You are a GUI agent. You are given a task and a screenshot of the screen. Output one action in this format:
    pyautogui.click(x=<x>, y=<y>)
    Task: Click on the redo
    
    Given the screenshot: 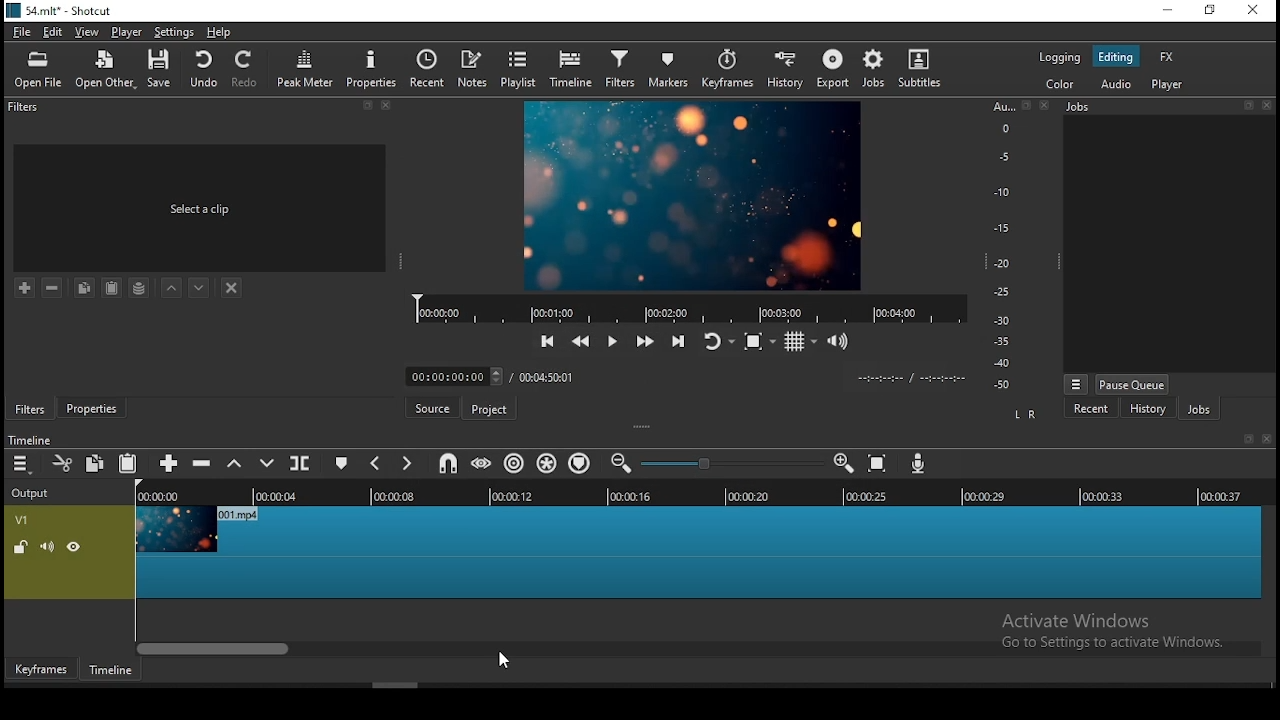 What is the action you would take?
    pyautogui.click(x=247, y=69)
    